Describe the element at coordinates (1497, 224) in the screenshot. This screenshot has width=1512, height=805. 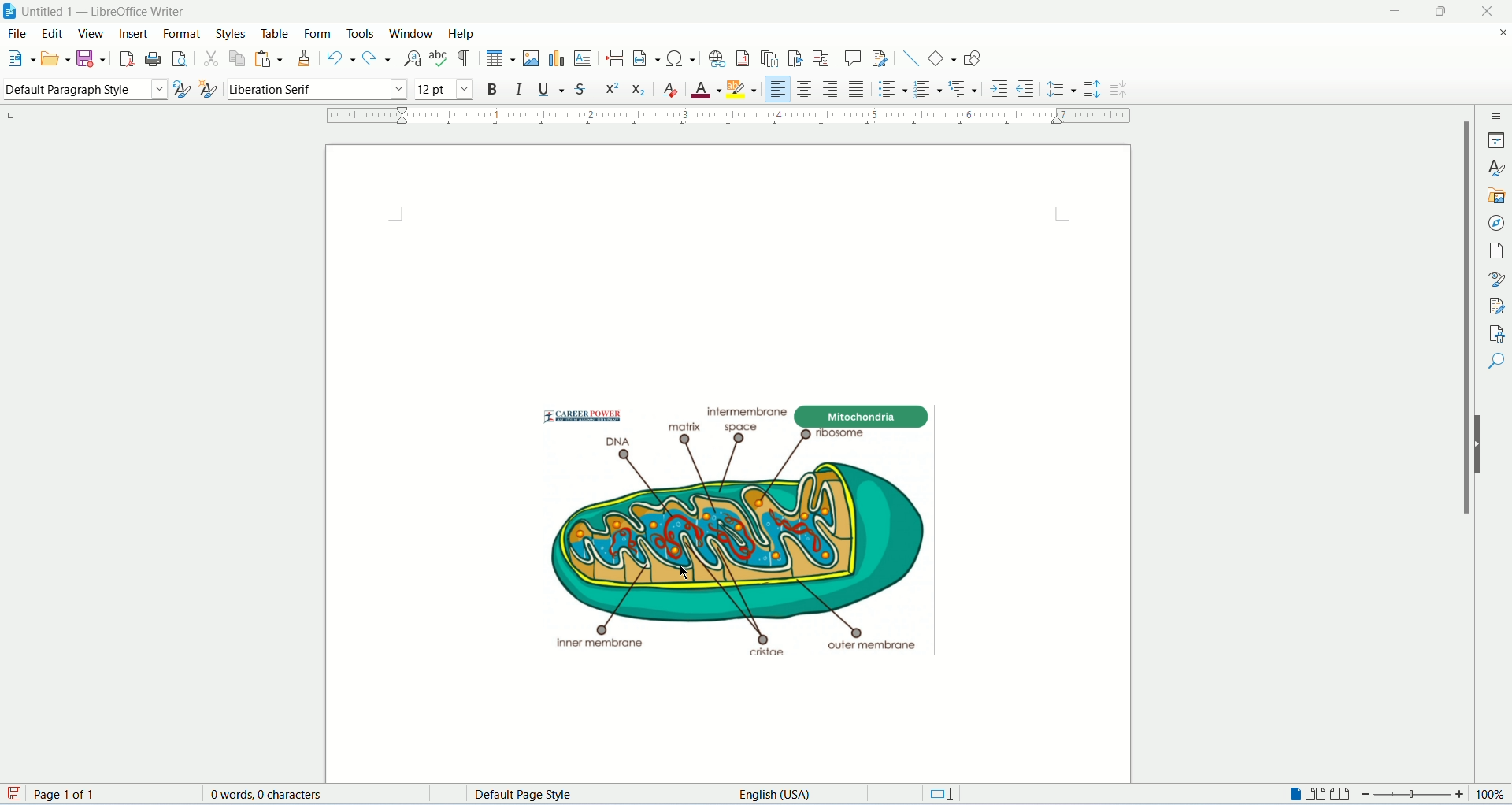
I see `navigator` at that location.